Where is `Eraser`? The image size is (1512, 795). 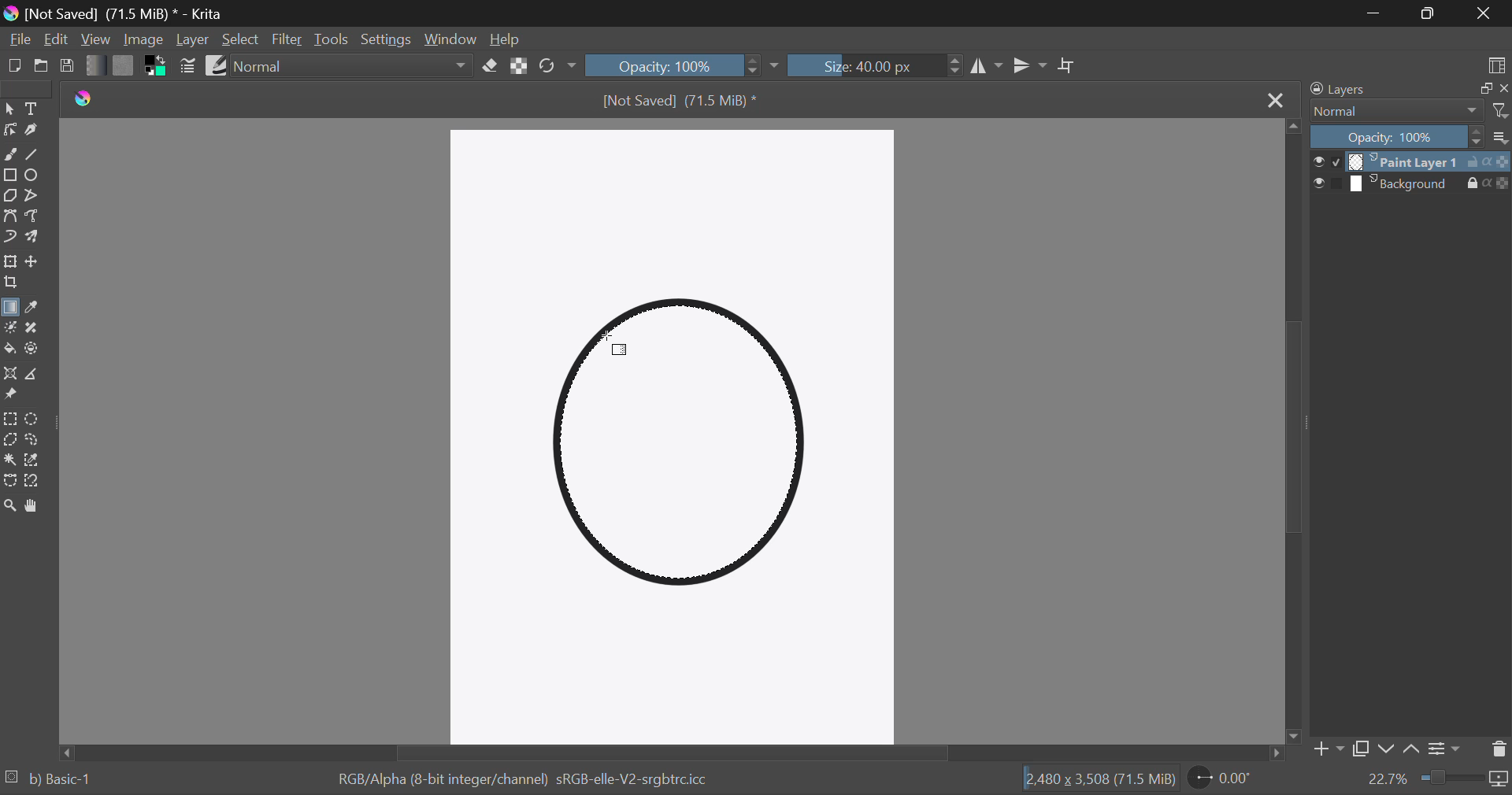
Eraser is located at coordinates (490, 66).